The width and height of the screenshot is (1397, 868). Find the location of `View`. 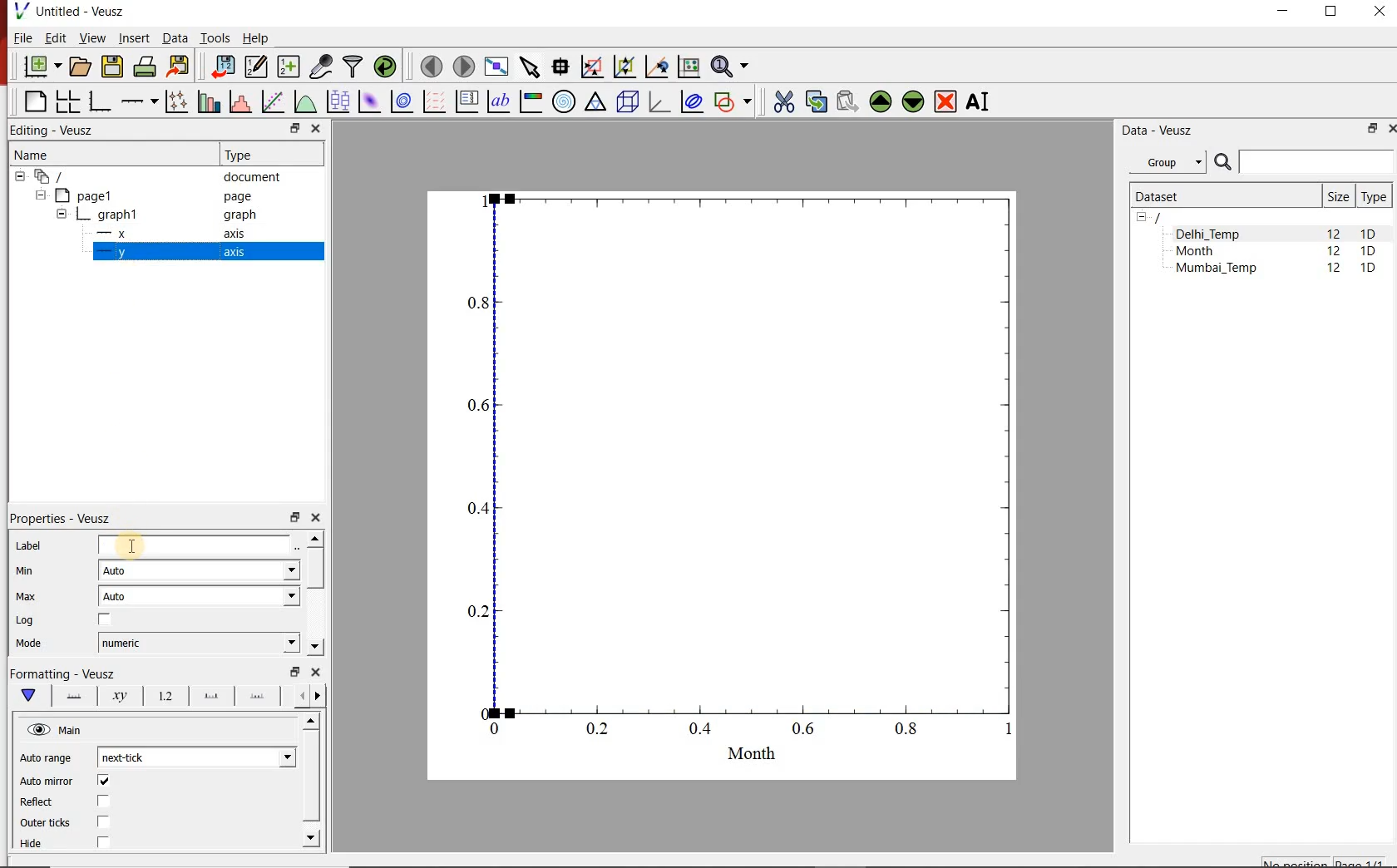

View is located at coordinates (91, 37).